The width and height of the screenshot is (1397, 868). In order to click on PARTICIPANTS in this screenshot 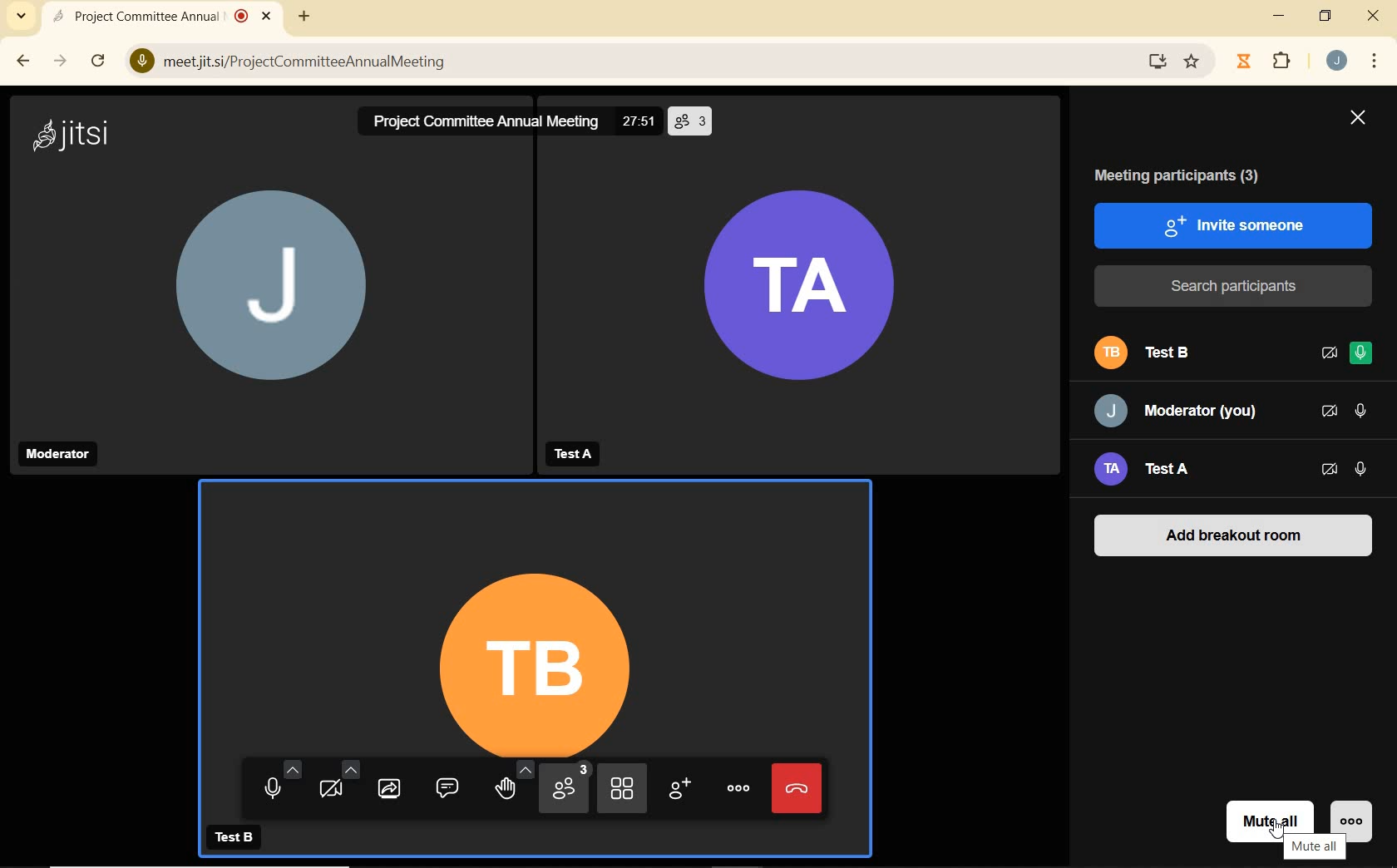, I will do `click(565, 788)`.